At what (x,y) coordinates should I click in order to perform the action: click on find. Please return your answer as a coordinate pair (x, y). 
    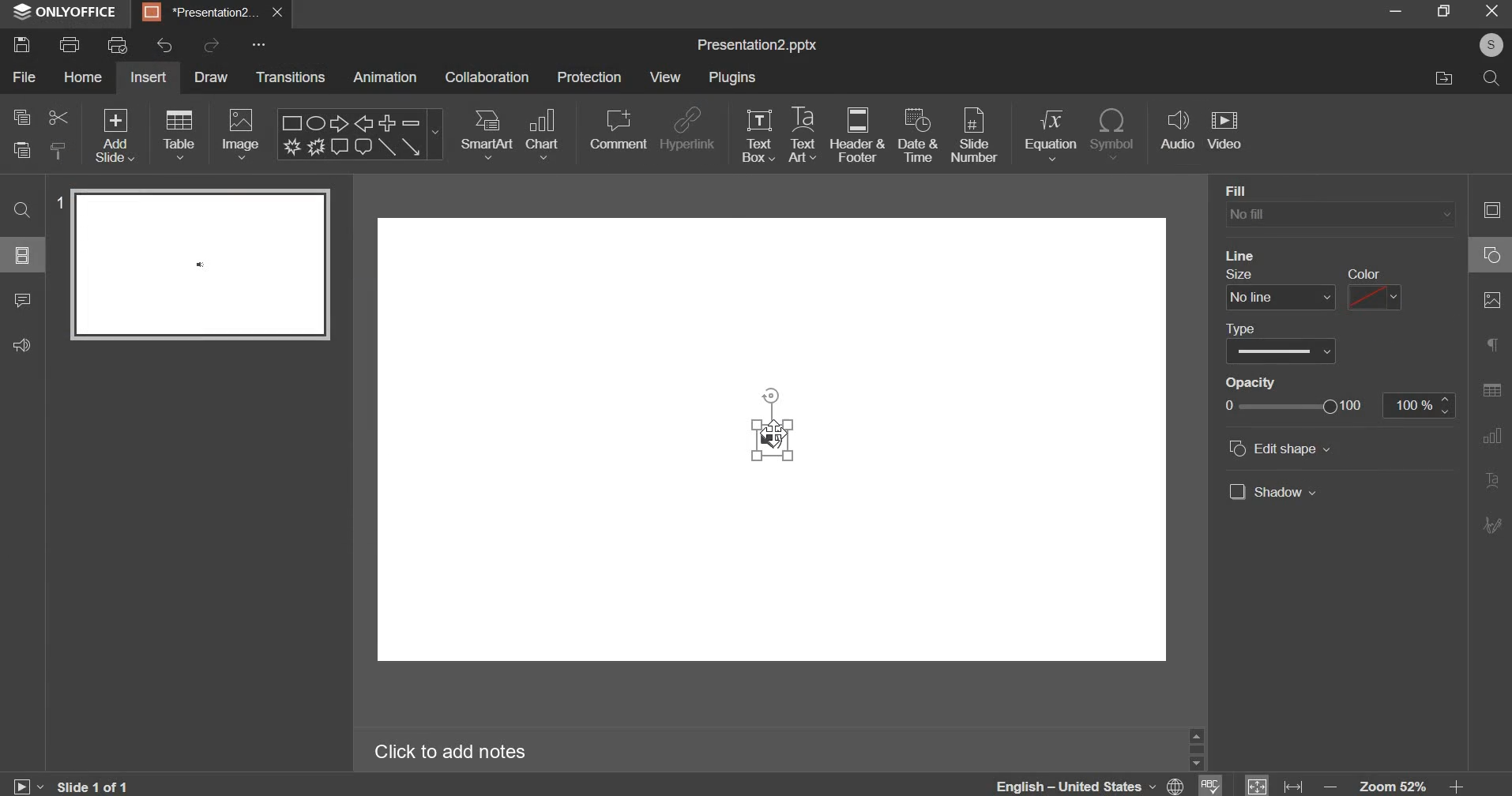
    Looking at the image, I should click on (24, 211).